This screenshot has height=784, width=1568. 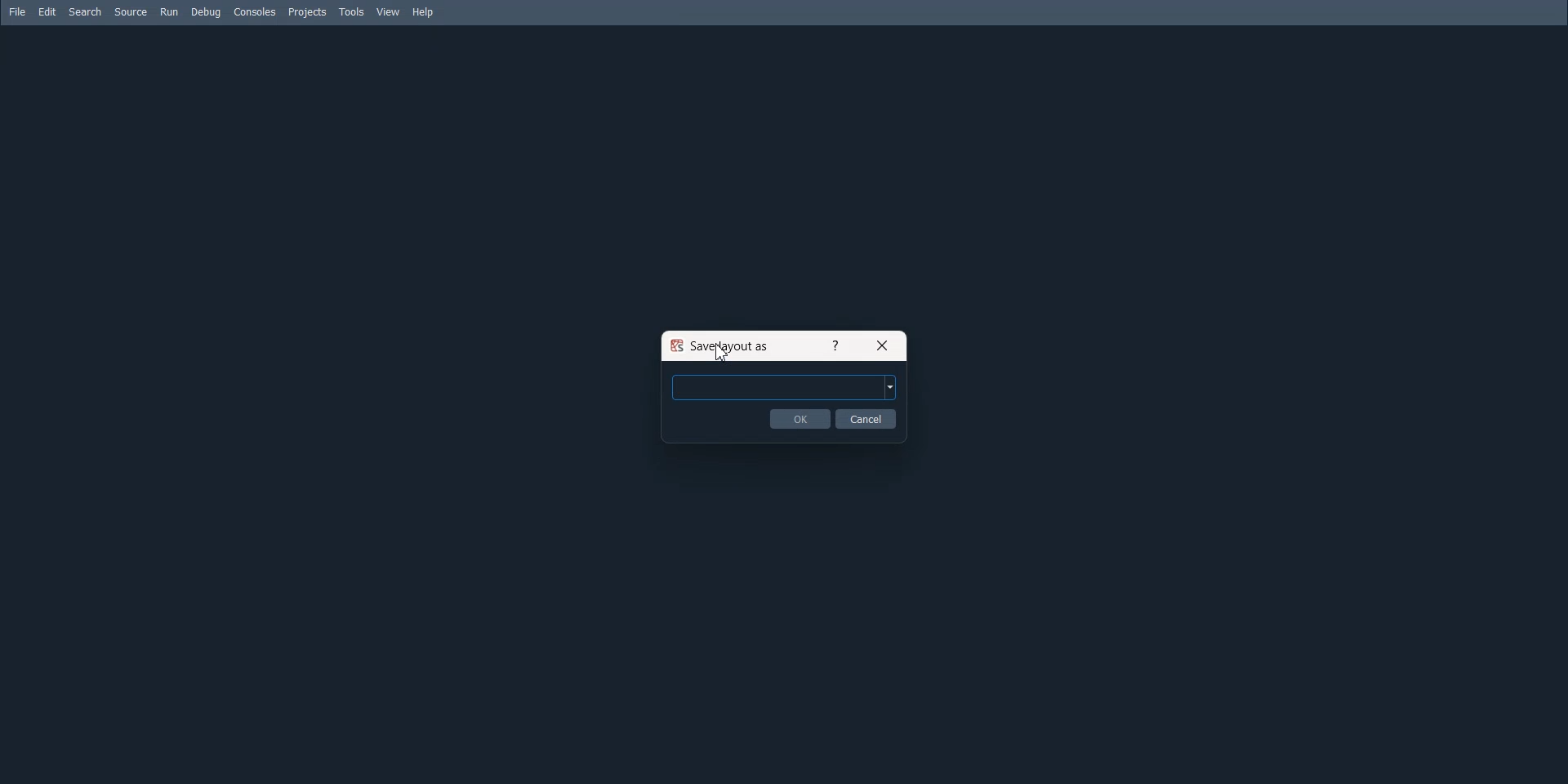 I want to click on Tools, so click(x=353, y=12).